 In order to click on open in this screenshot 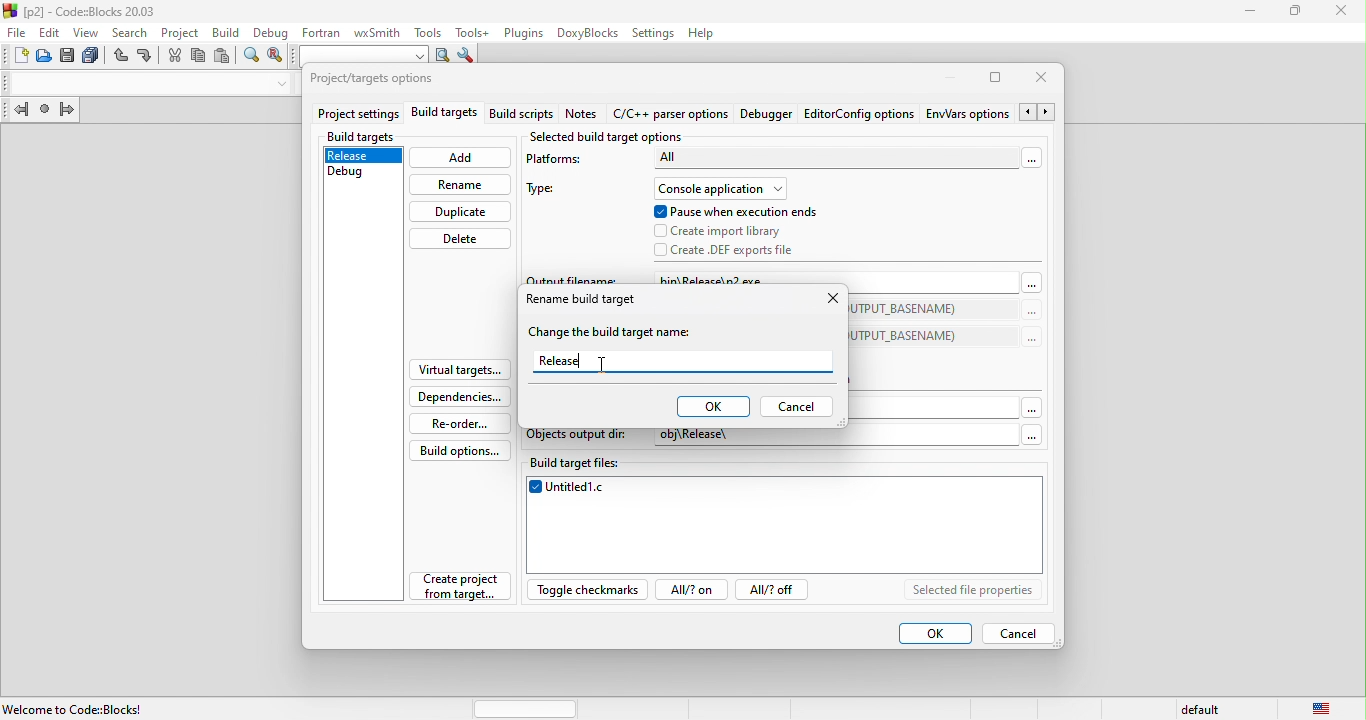, I will do `click(46, 57)`.